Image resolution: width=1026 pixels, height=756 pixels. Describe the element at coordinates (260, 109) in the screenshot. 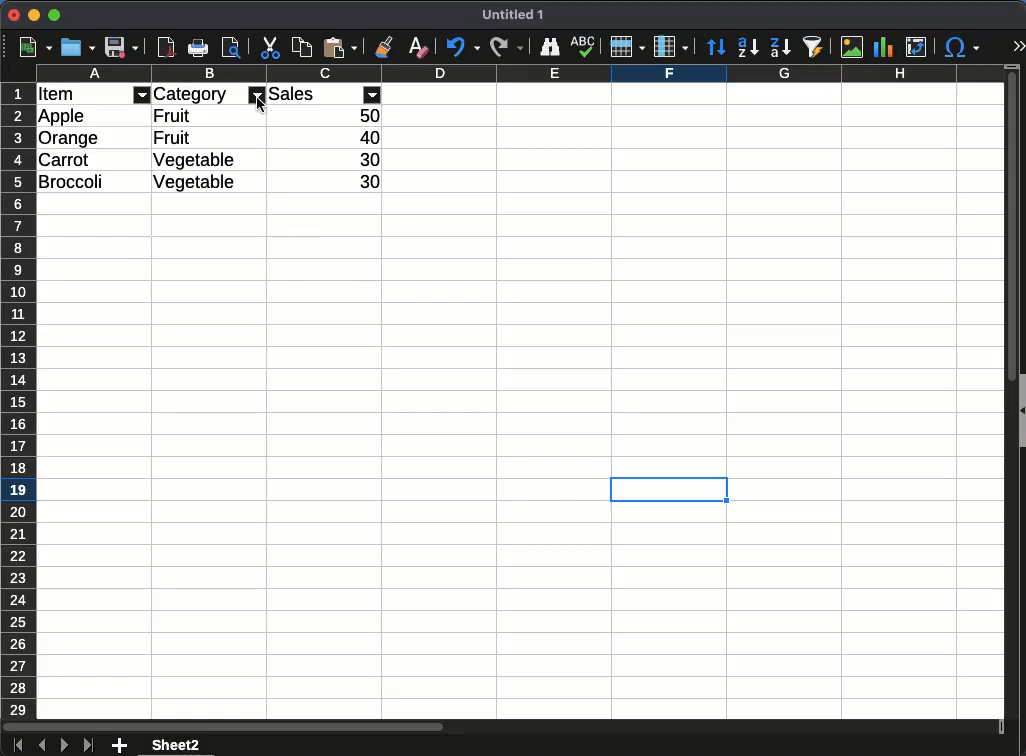

I see `cursor` at that location.